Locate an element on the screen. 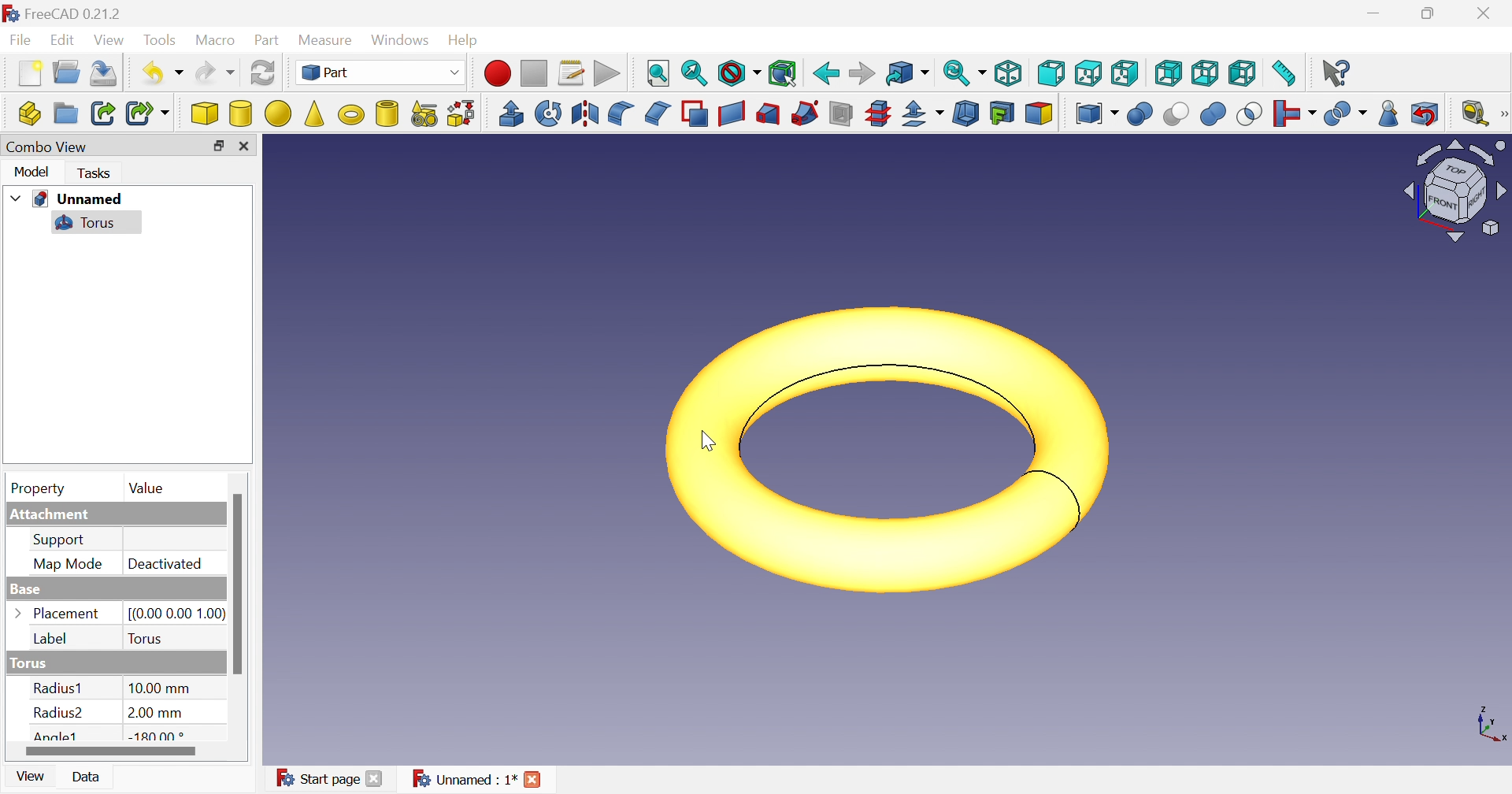 The height and width of the screenshot is (794, 1512). Start  page is located at coordinates (314, 778).